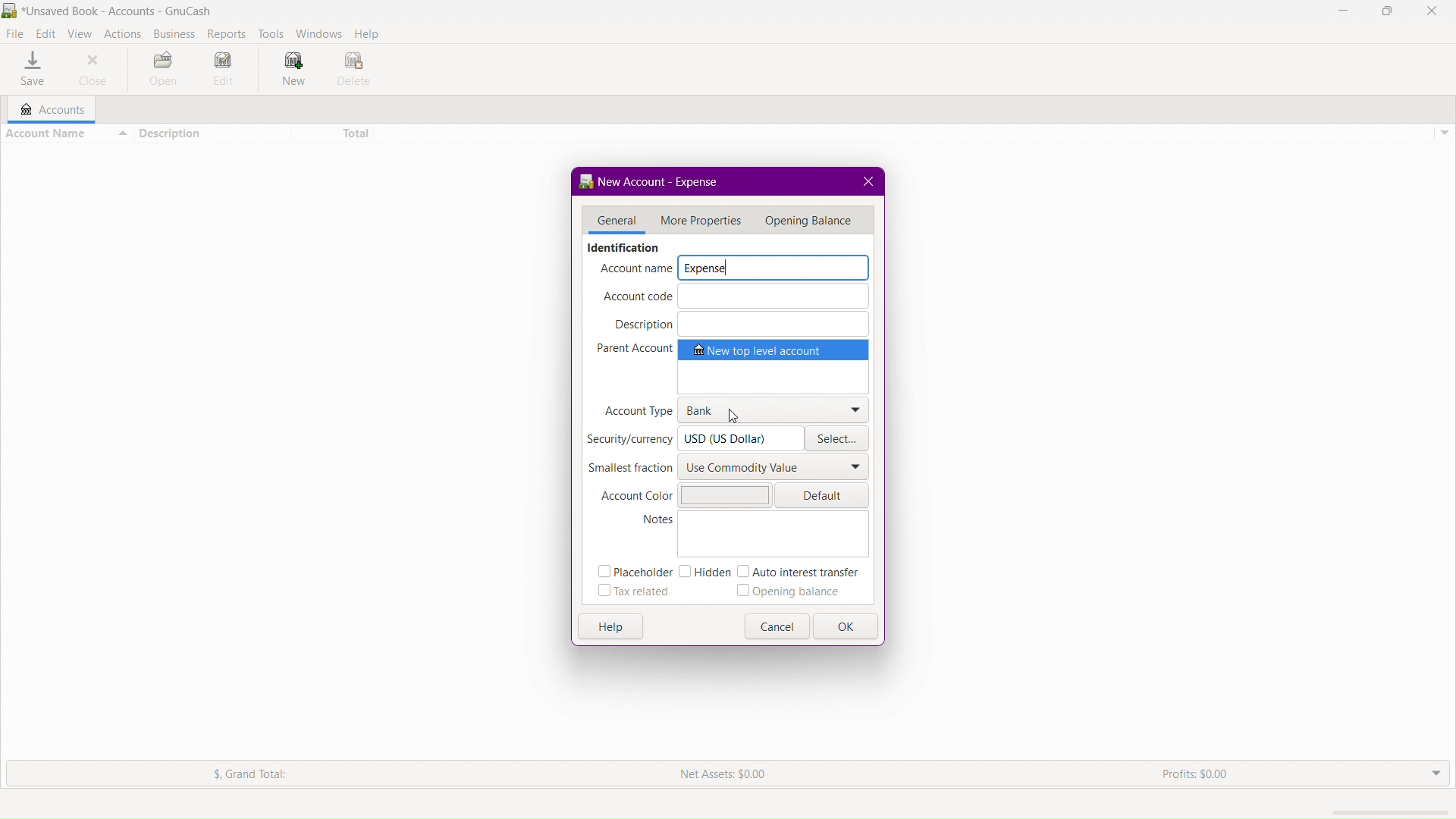  I want to click on Save, so click(31, 67).